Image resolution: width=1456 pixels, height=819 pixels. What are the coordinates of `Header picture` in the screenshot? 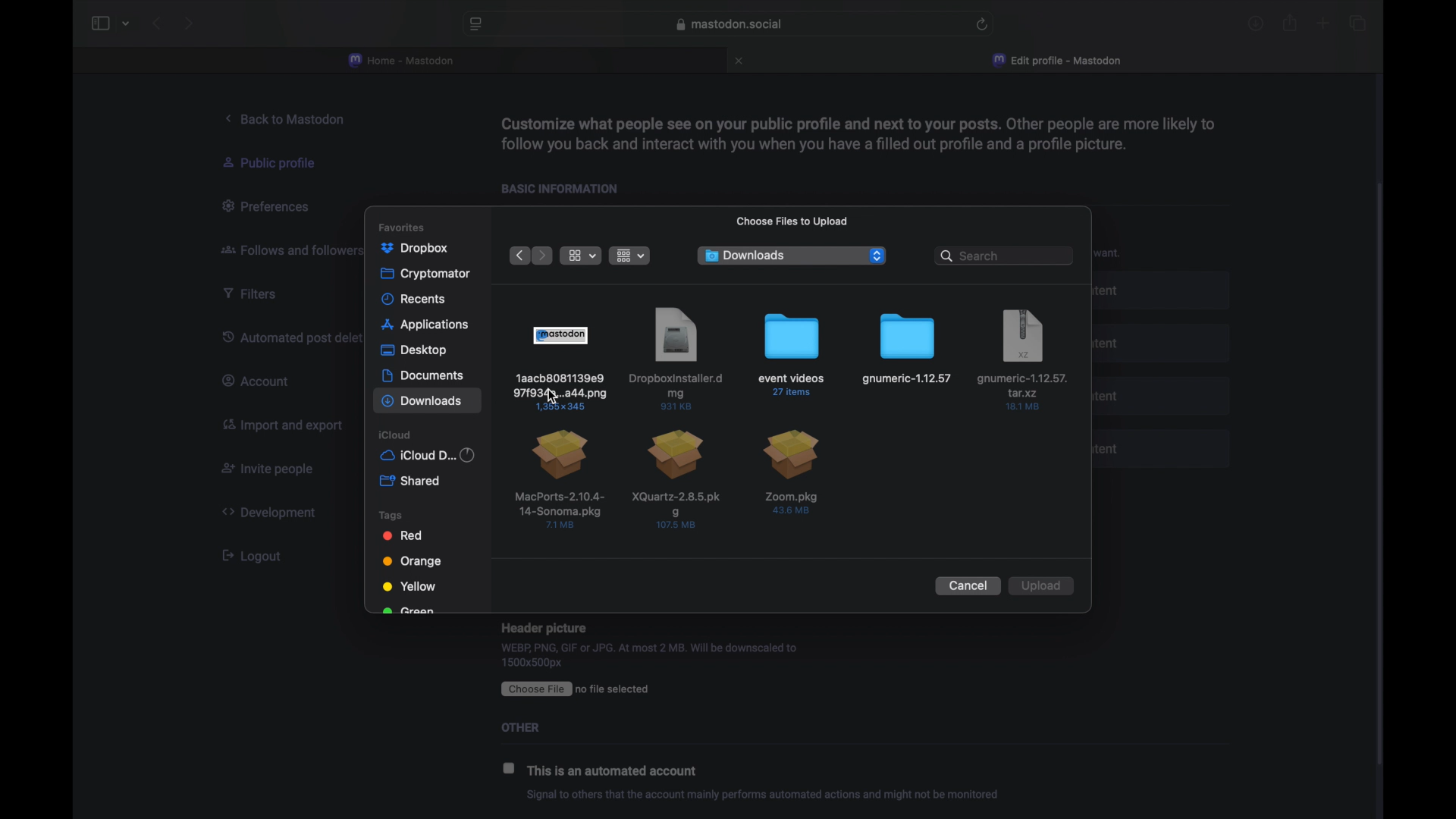 It's located at (544, 626).